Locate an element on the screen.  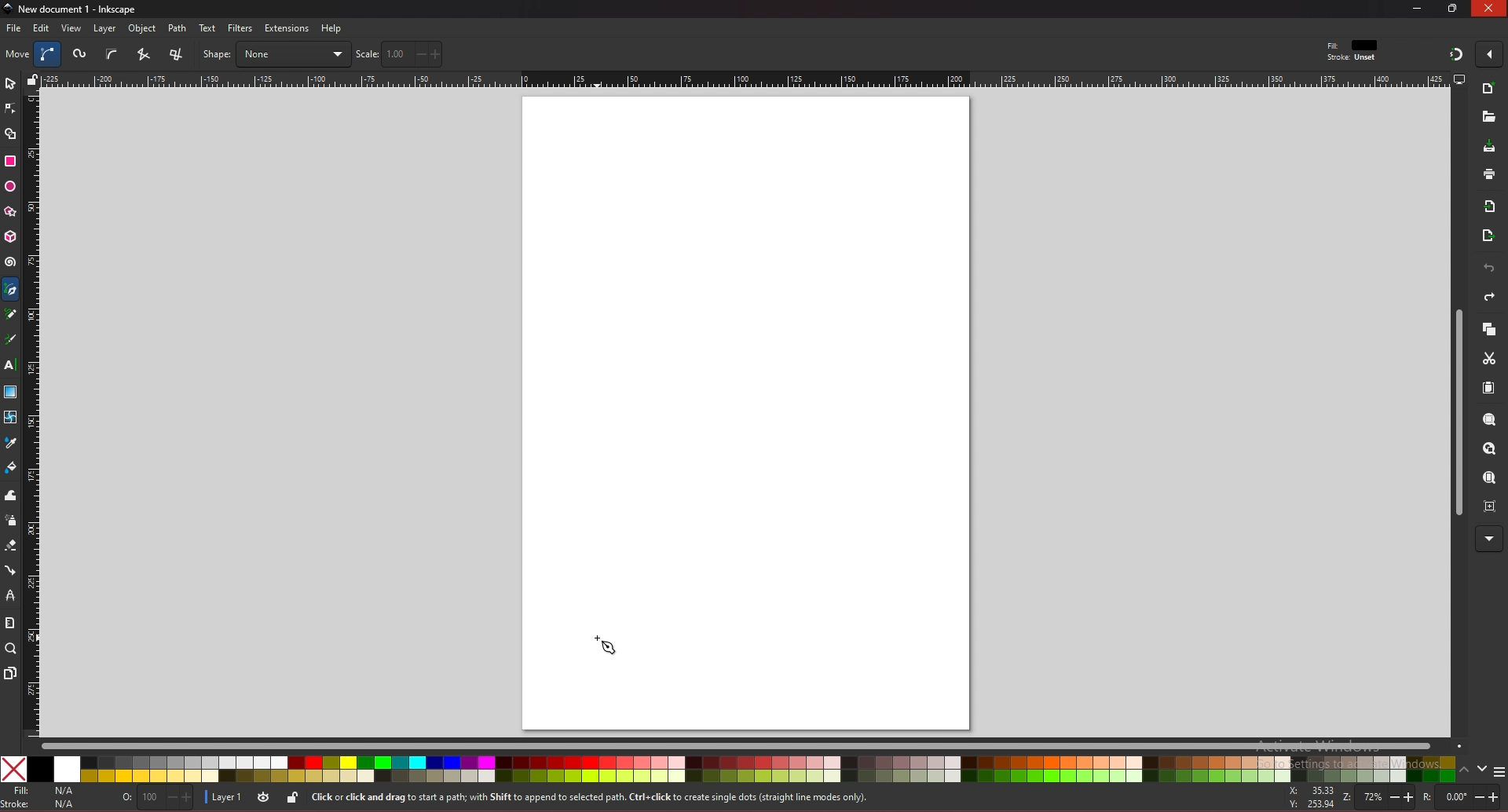
rectangle is located at coordinates (9, 161).